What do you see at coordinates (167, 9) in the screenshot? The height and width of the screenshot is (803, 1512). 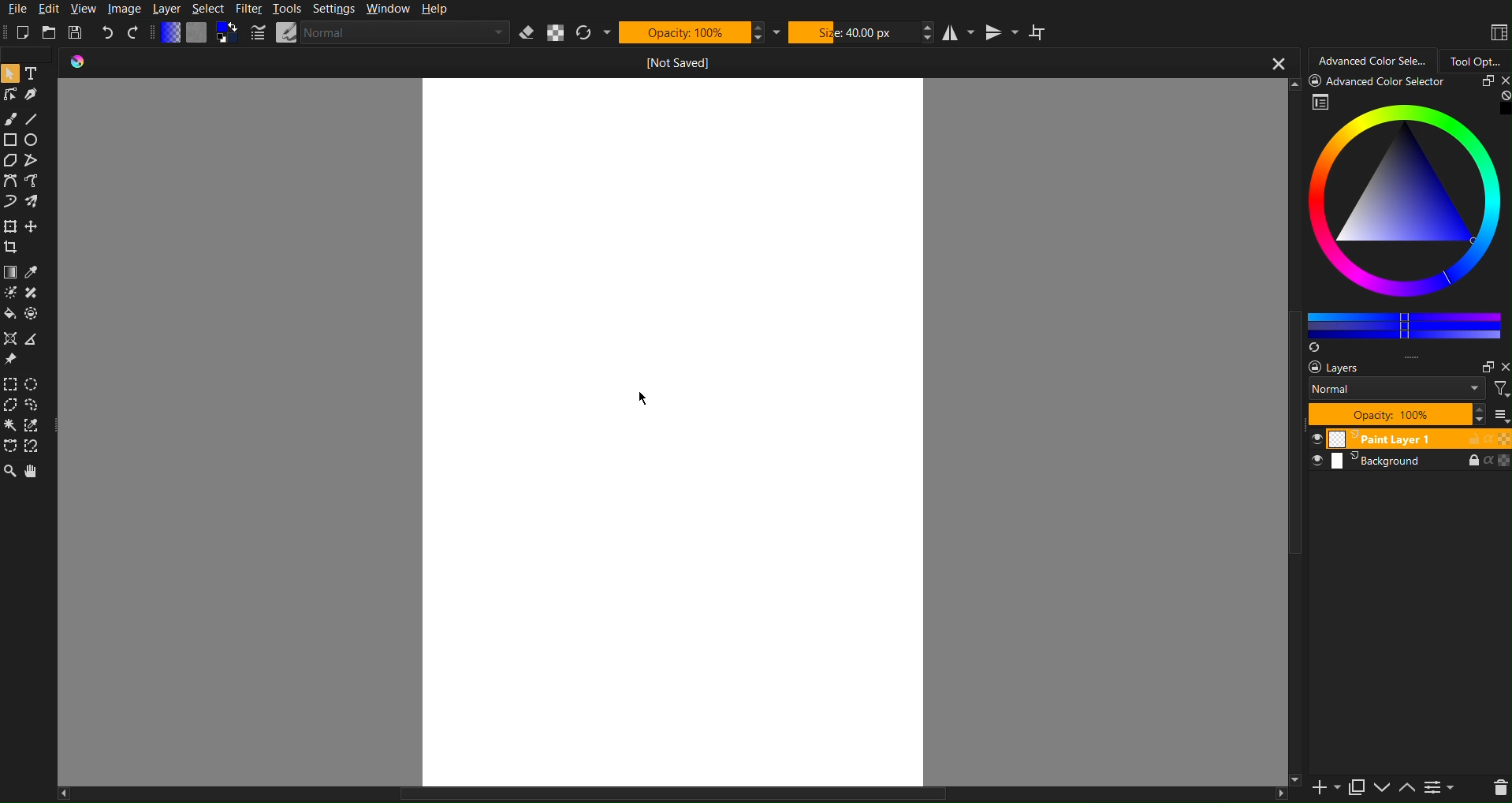 I see `Layer` at bounding box center [167, 9].